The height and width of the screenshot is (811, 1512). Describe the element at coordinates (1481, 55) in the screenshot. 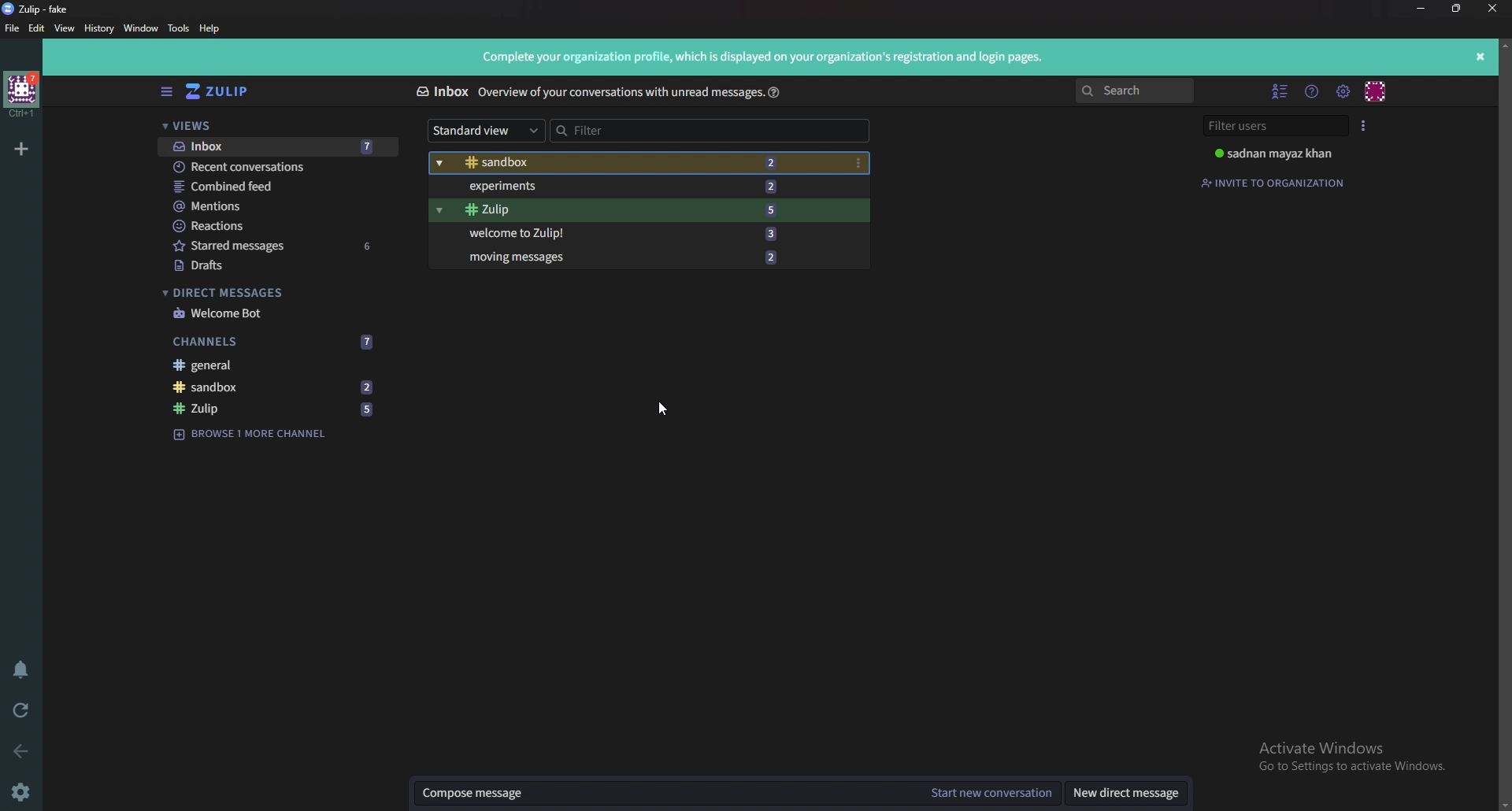

I see `Close info` at that location.